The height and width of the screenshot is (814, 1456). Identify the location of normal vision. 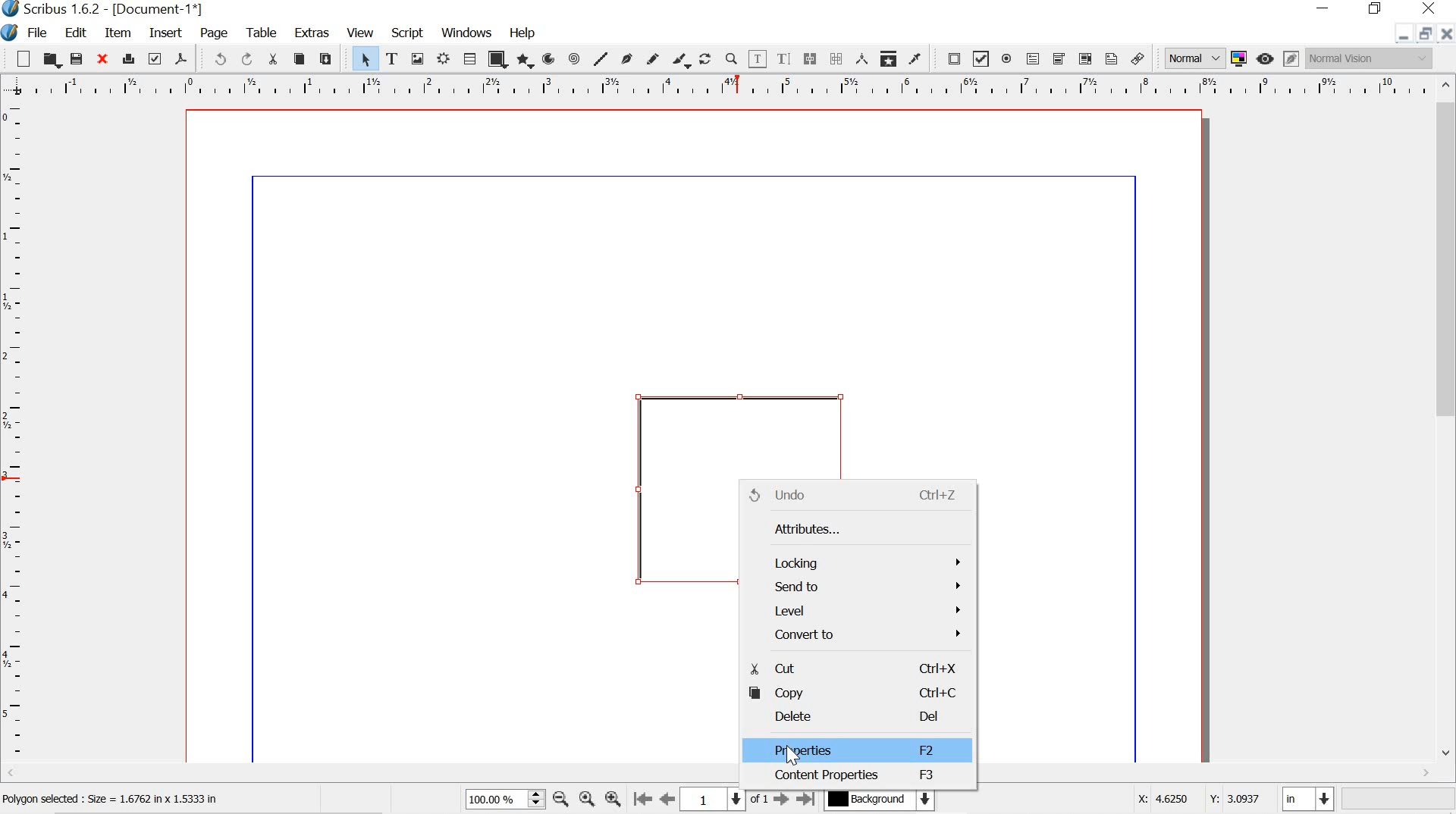
(1370, 58).